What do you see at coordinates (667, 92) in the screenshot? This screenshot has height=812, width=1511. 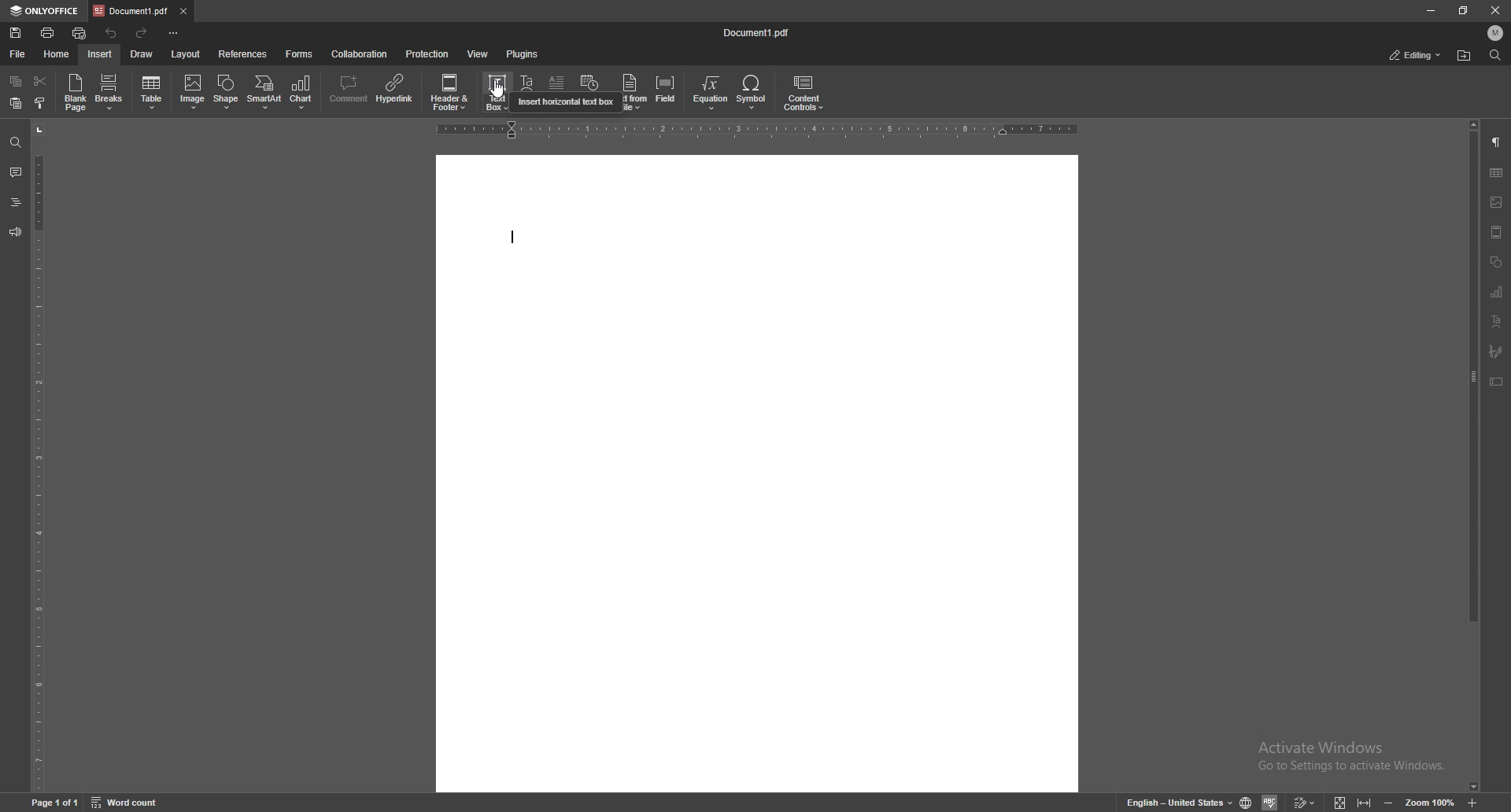 I see `field` at bounding box center [667, 92].